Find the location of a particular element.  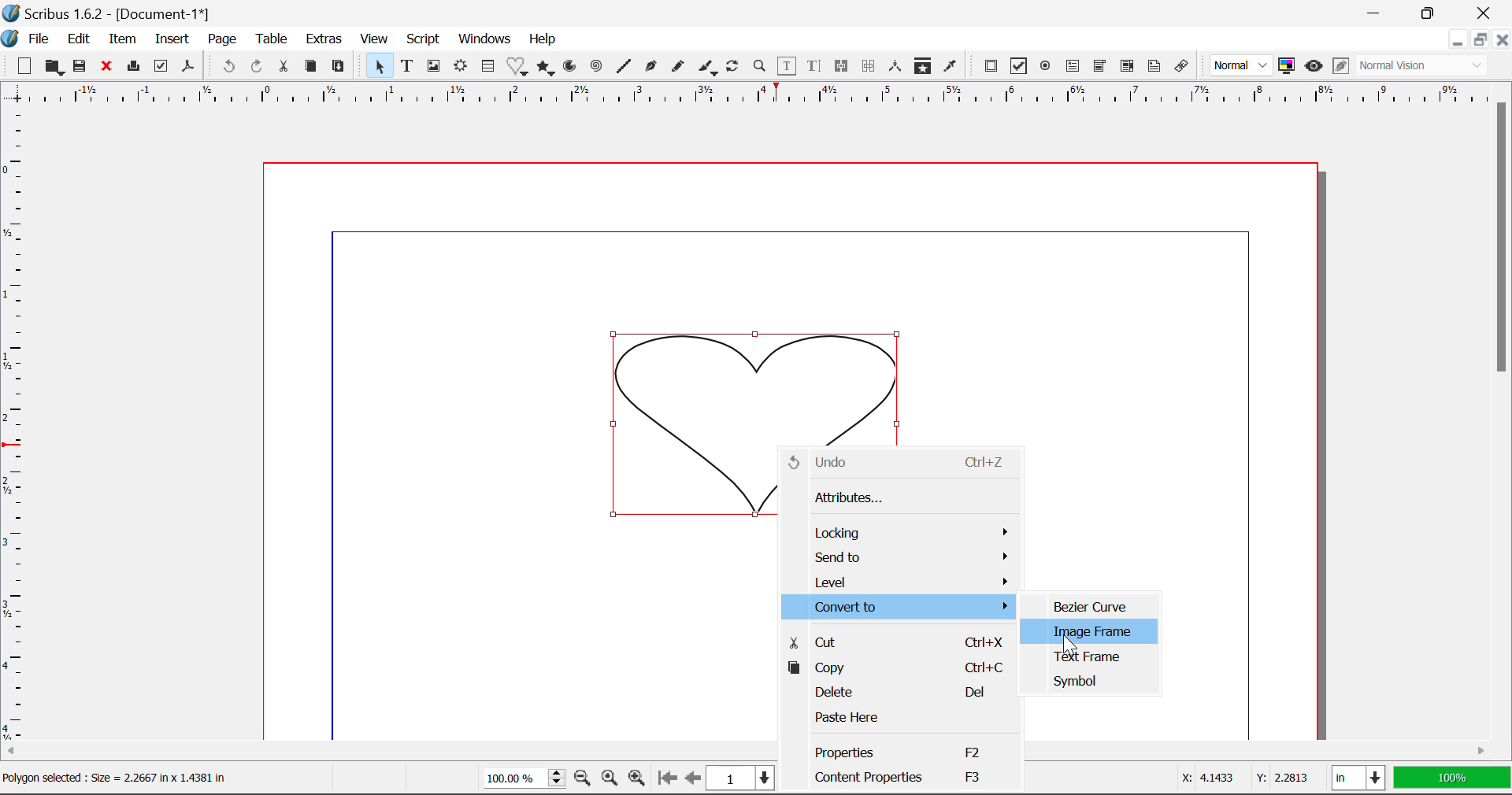

Redo is located at coordinates (256, 65).